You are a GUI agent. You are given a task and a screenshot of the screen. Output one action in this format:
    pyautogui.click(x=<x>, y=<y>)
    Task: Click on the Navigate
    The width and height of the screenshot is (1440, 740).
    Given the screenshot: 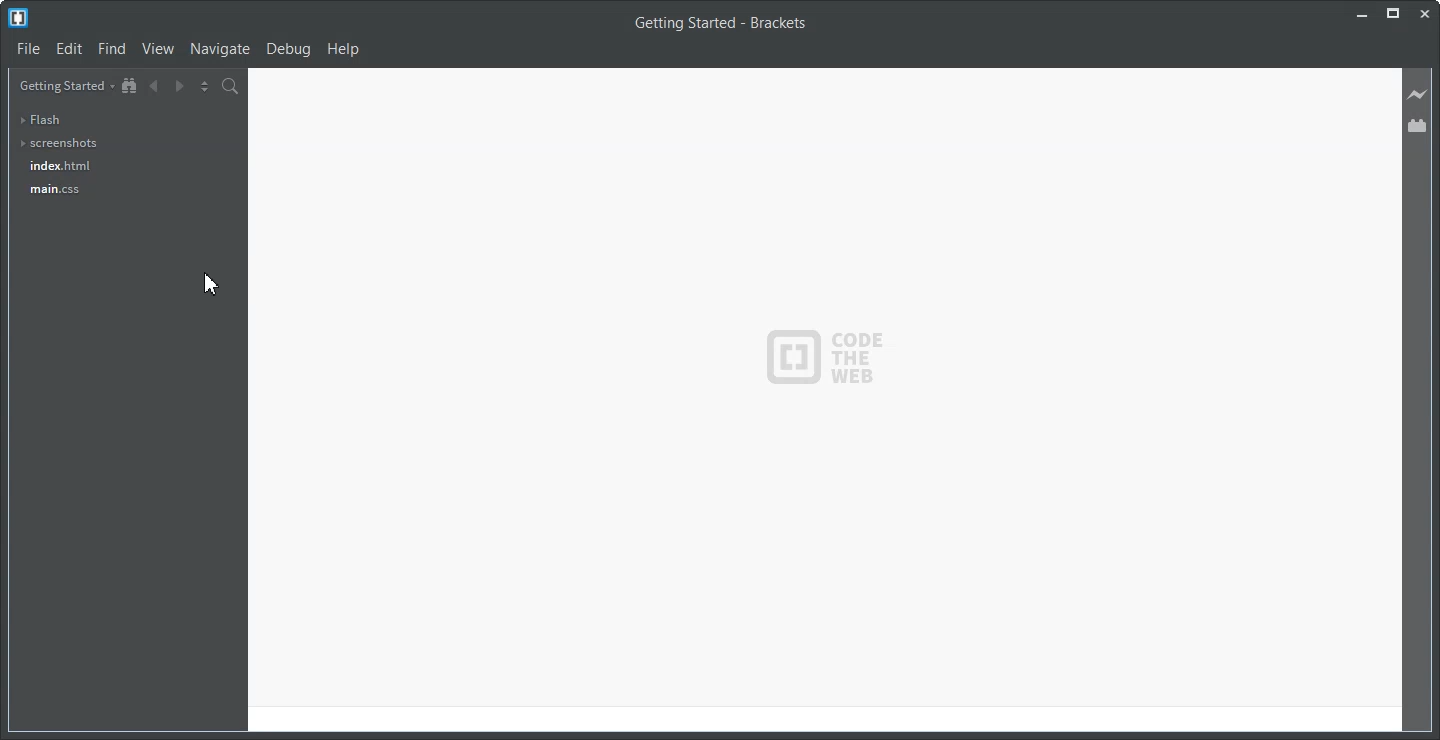 What is the action you would take?
    pyautogui.click(x=220, y=50)
    